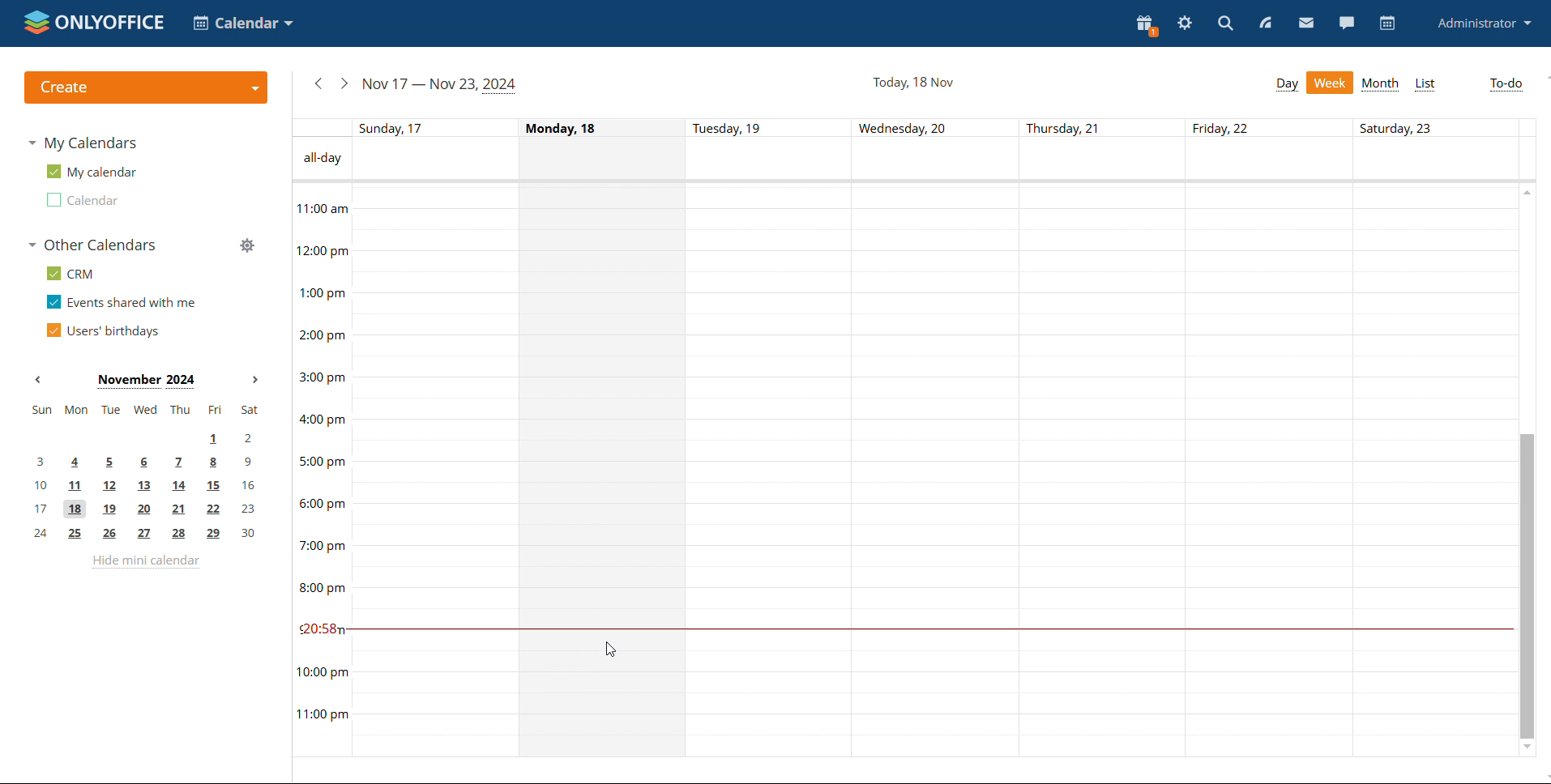  I want to click on current date, so click(914, 83).